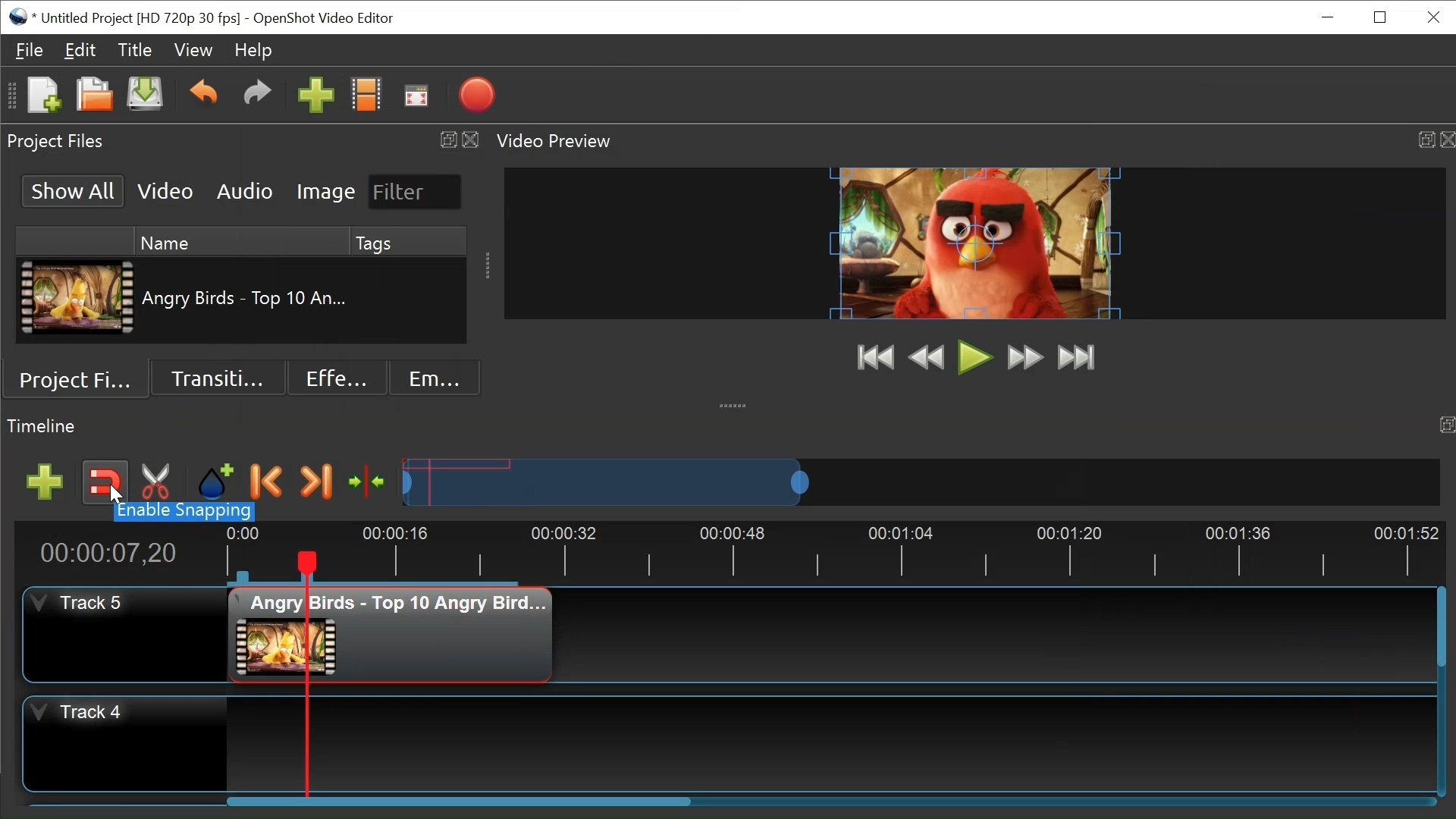  I want to click on File name, so click(140, 19).